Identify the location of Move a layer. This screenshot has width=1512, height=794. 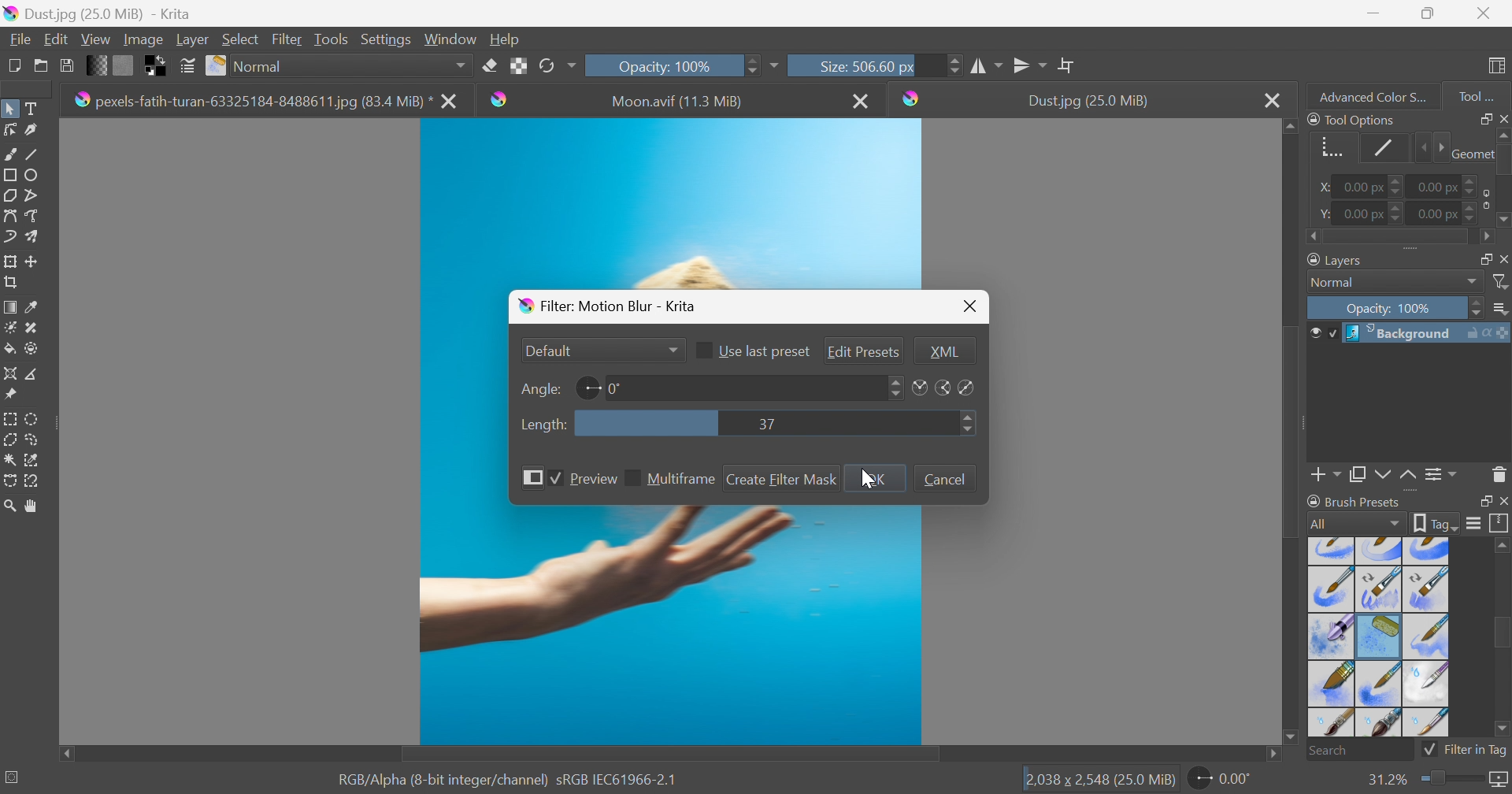
(35, 261).